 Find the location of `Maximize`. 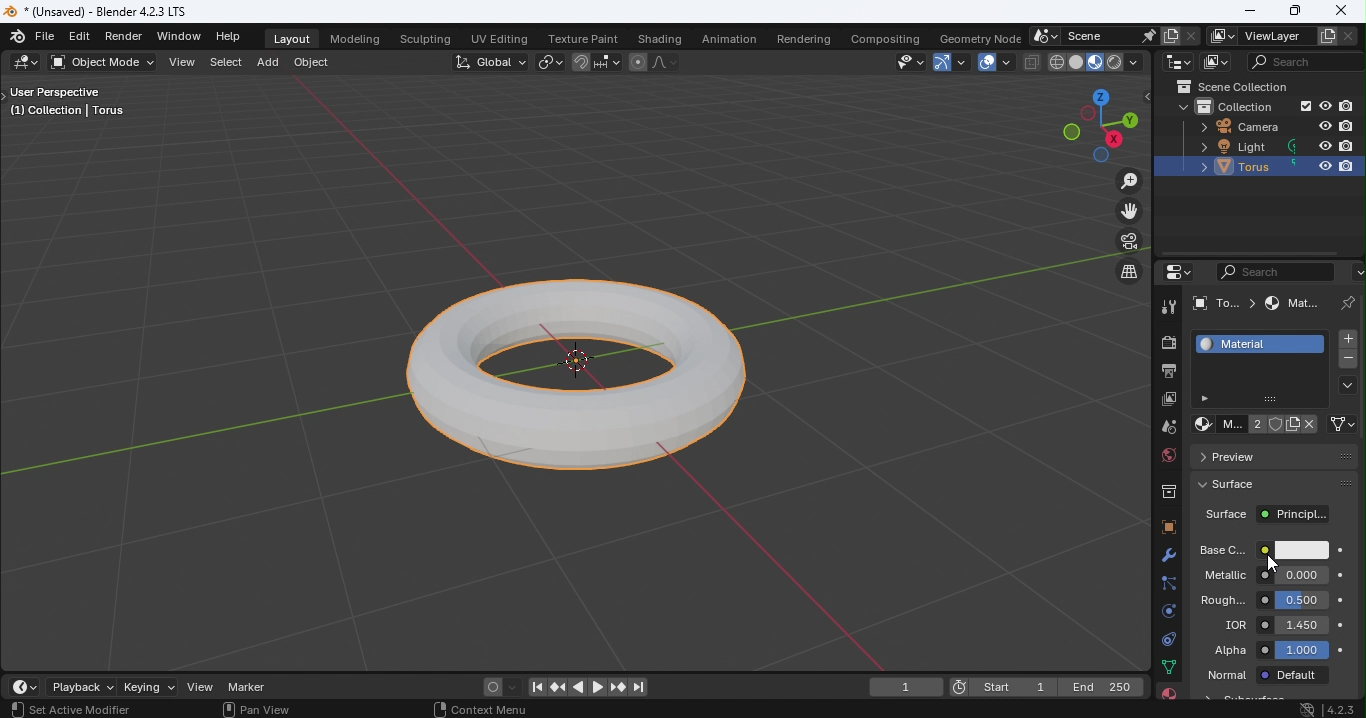

Maximize is located at coordinates (1296, 12).